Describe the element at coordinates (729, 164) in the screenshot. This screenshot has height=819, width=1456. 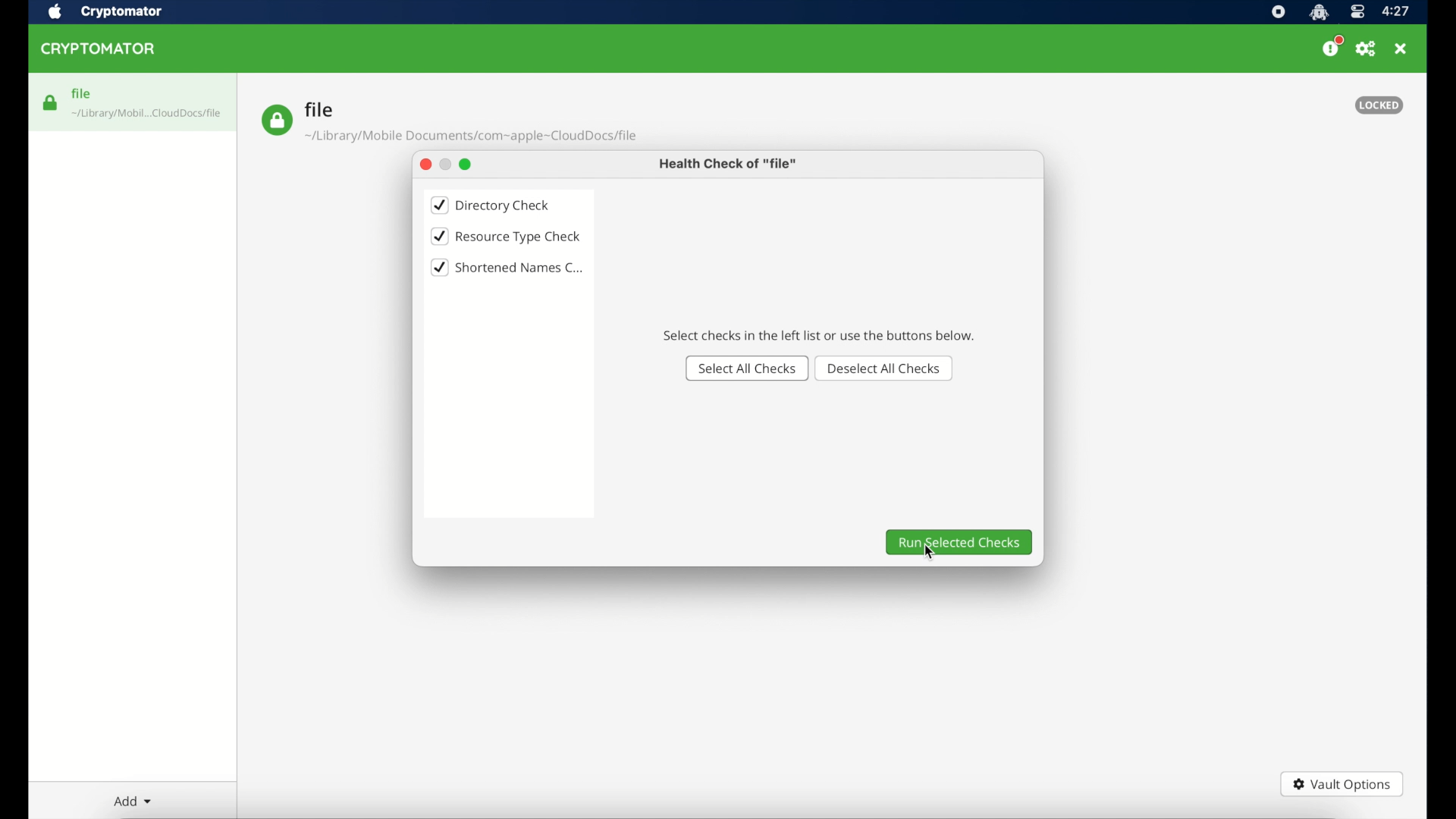
I see `health check of file` at that location.